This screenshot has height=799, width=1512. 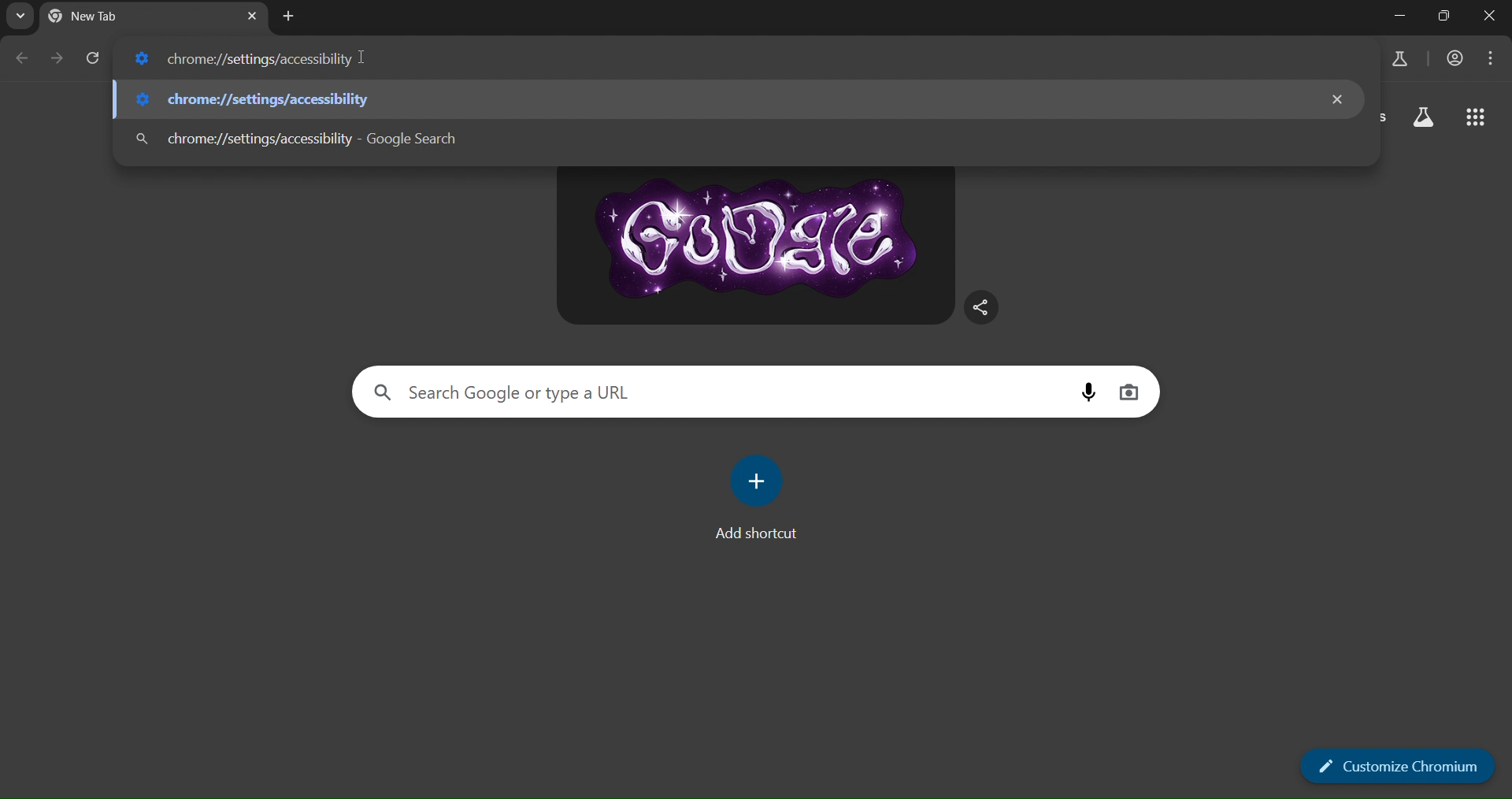 What do you see at coordinates (523, 388) in the screenshot?
I see `Search Google or type a URL` at bounding box center [523, 388].